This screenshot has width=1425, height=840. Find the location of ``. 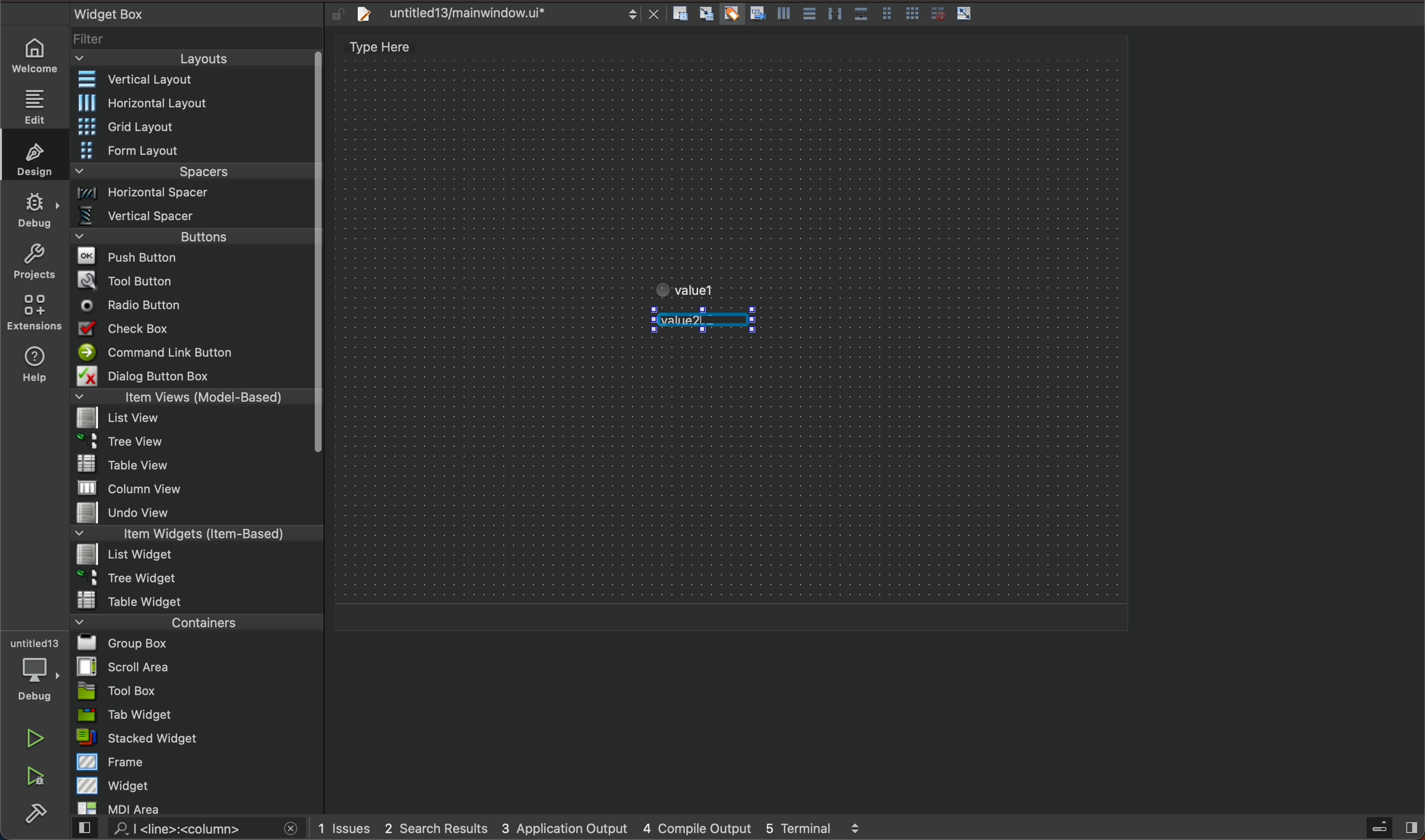

 is located at coordinates (194, 152).